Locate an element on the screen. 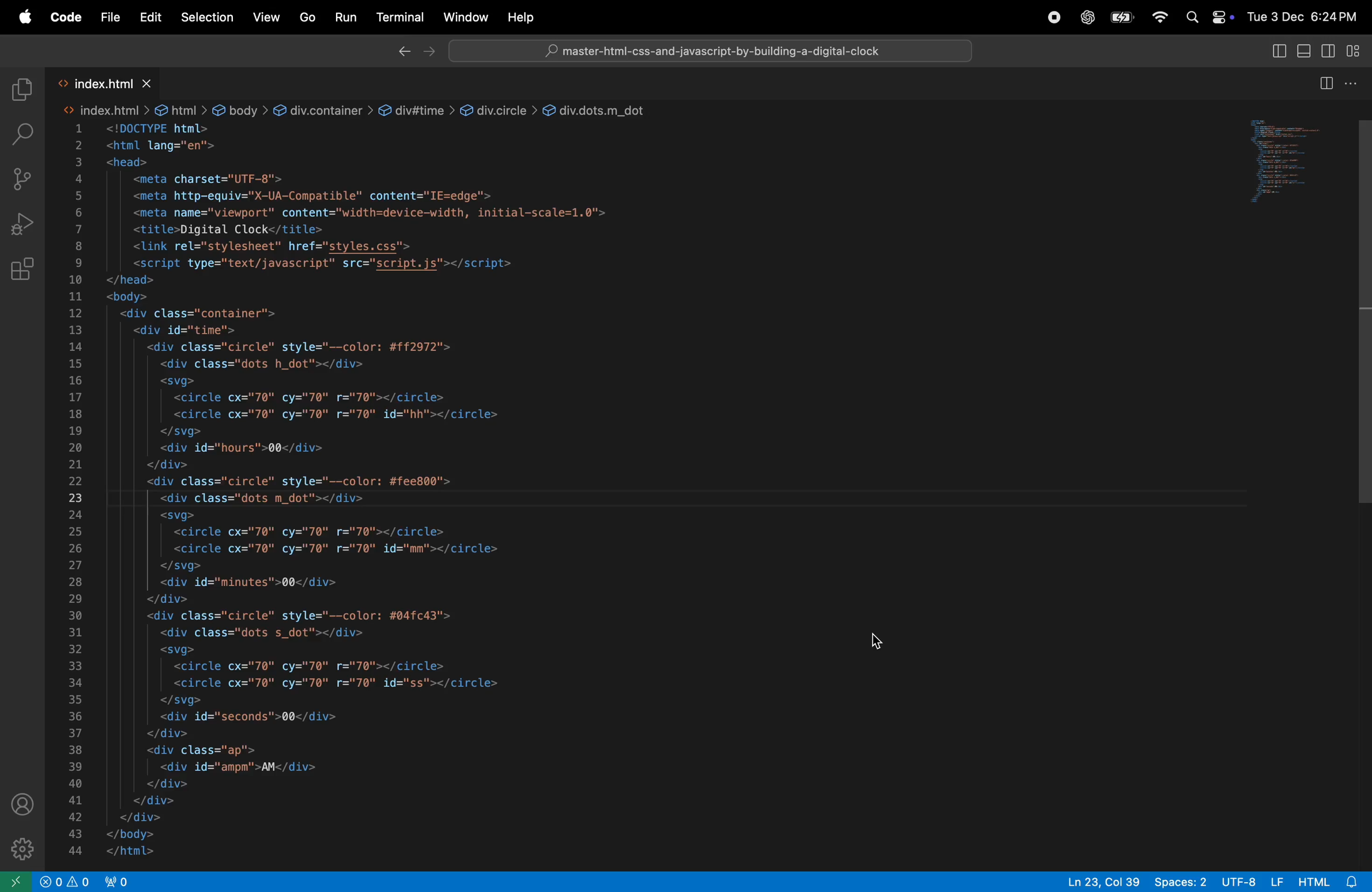 The width and height of the screenshot is (1372, 892). toggle secondary side bar  is located at coordinates (1327, 50).